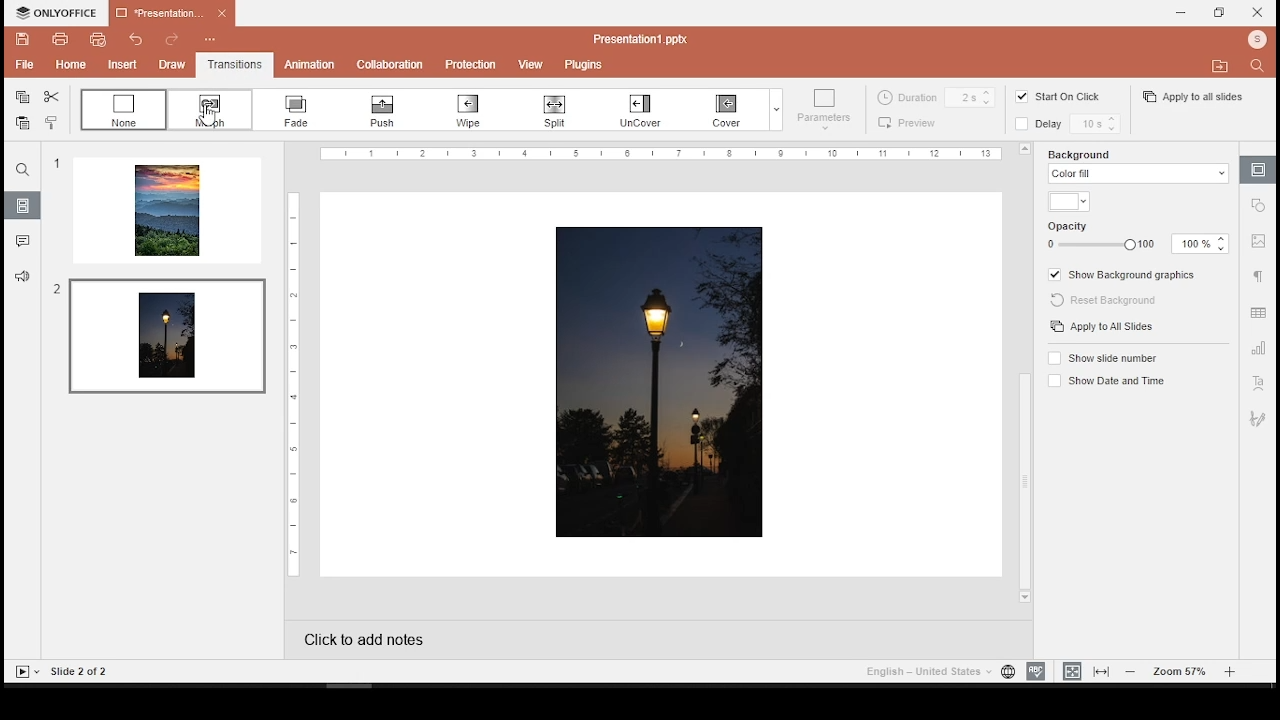  I want to click on 1, so click(56, 167).